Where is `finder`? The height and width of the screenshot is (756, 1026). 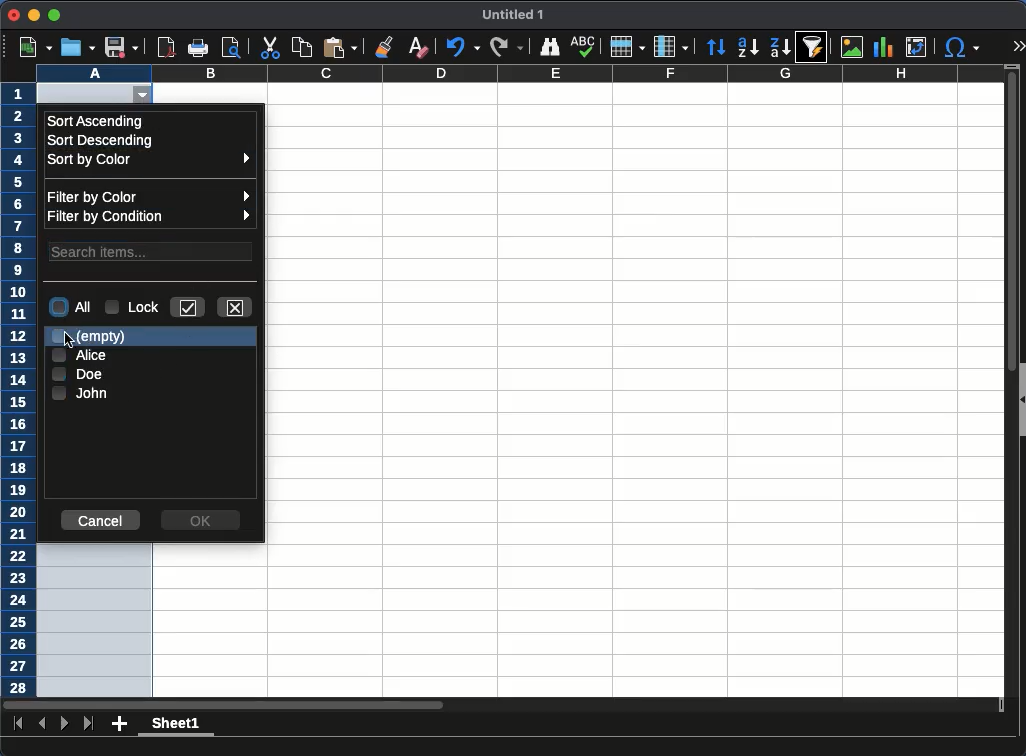
finder is located at coordinates (549, 48).